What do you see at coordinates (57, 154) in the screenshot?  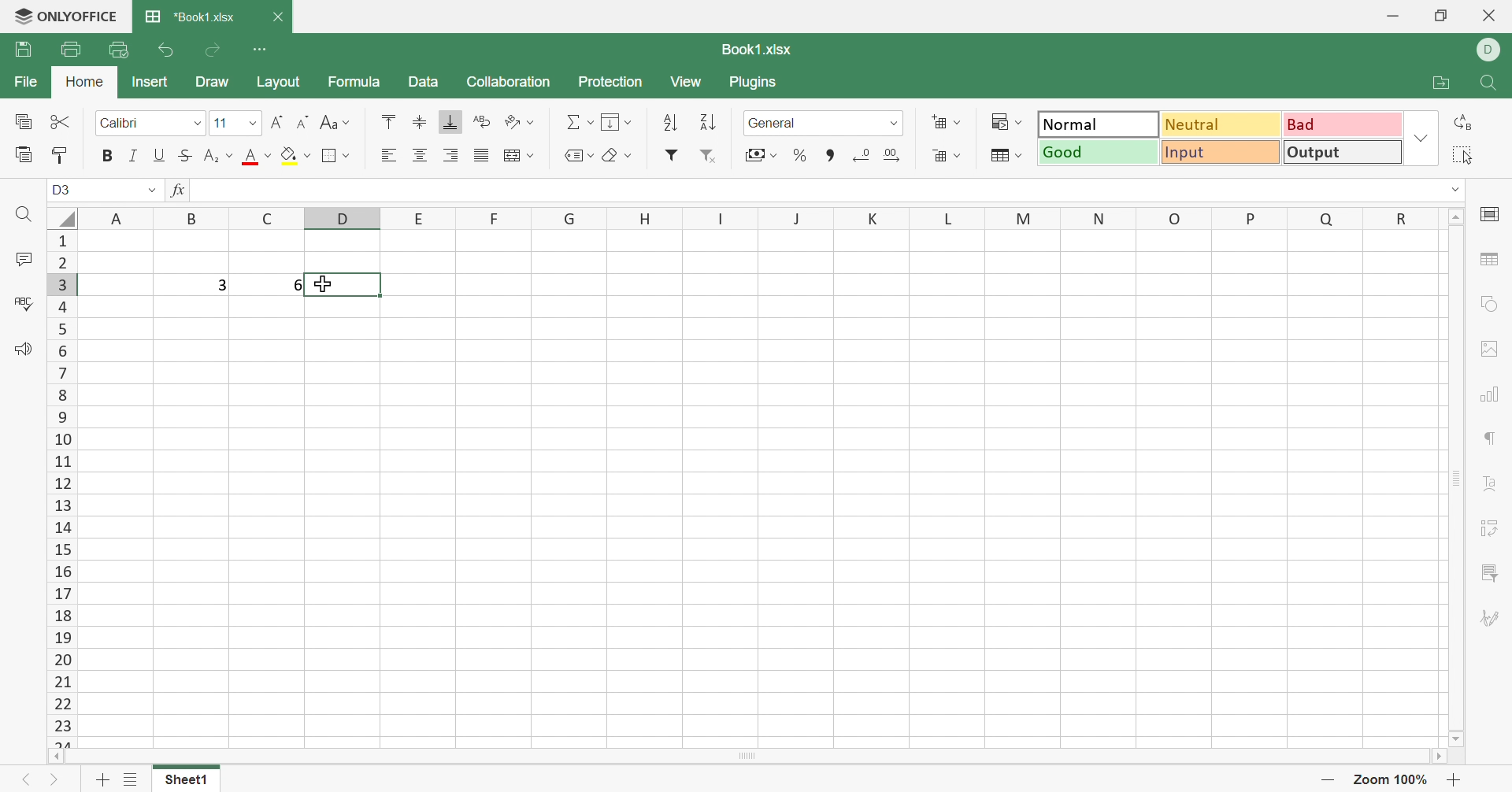 I see `Copy style` at bounding box center [57, 154].